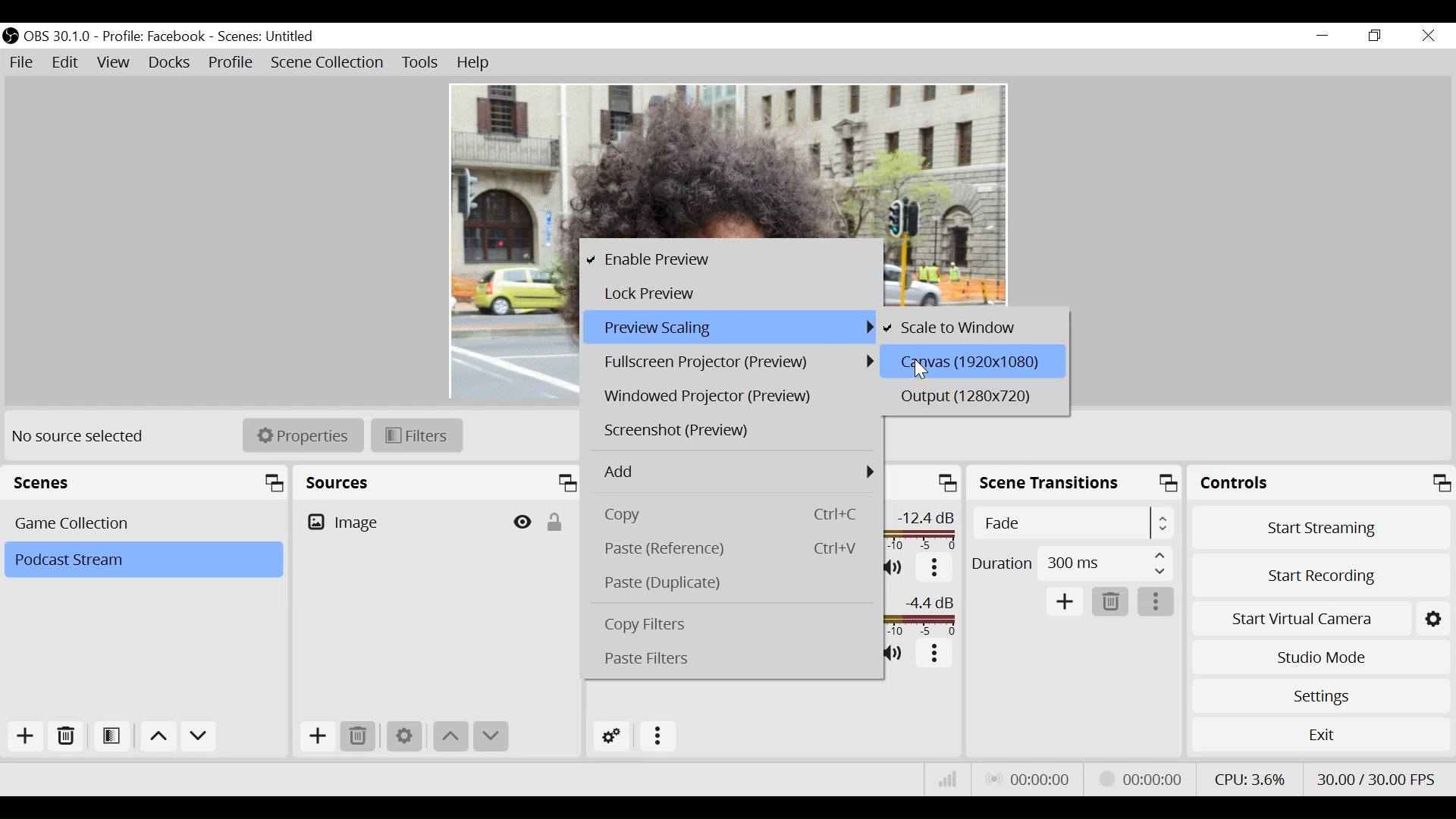 The image size is (1456, 819). I want to click on Scenes, so click(145, 523).